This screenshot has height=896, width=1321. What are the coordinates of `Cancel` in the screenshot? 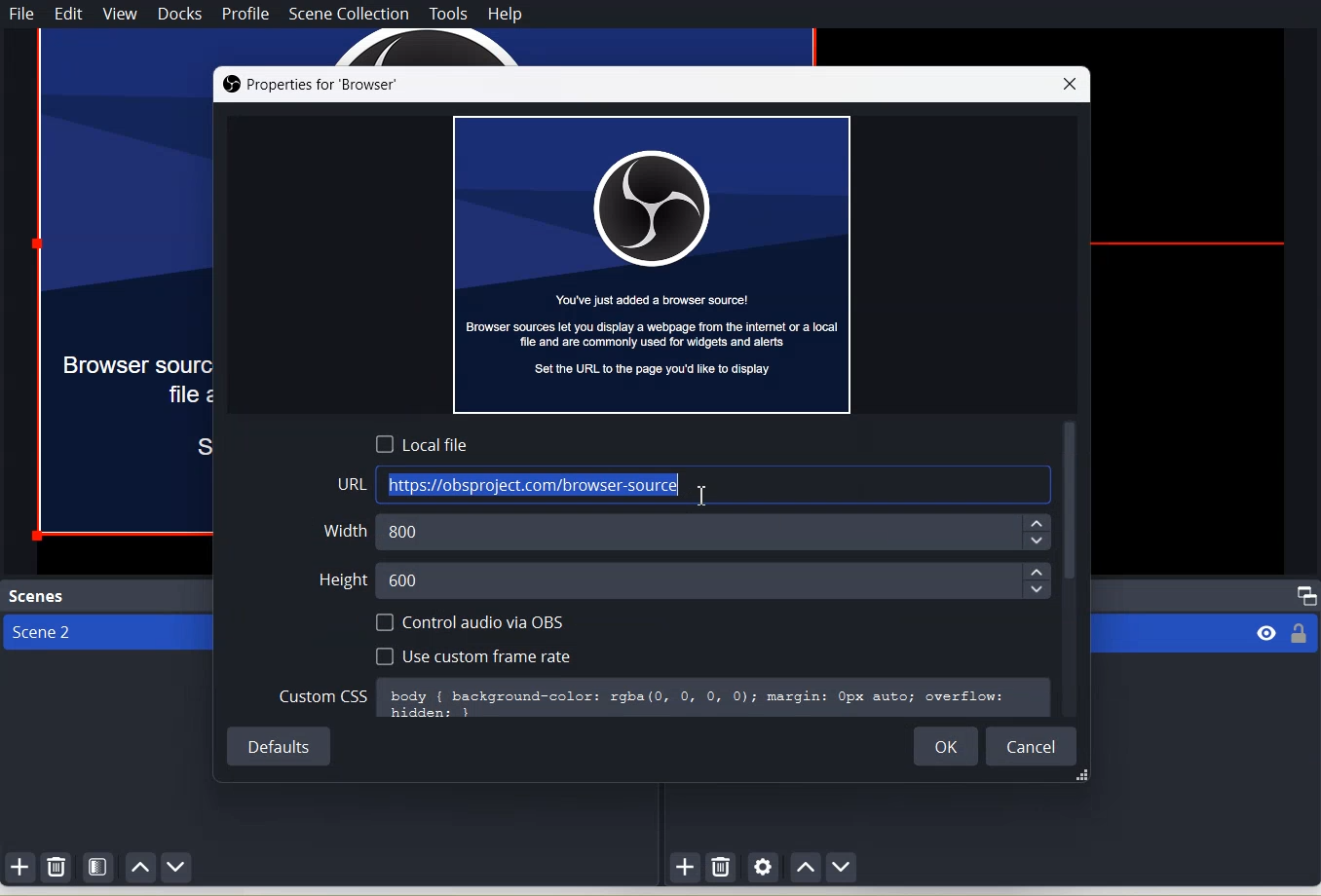 It's located at (1034, 745).